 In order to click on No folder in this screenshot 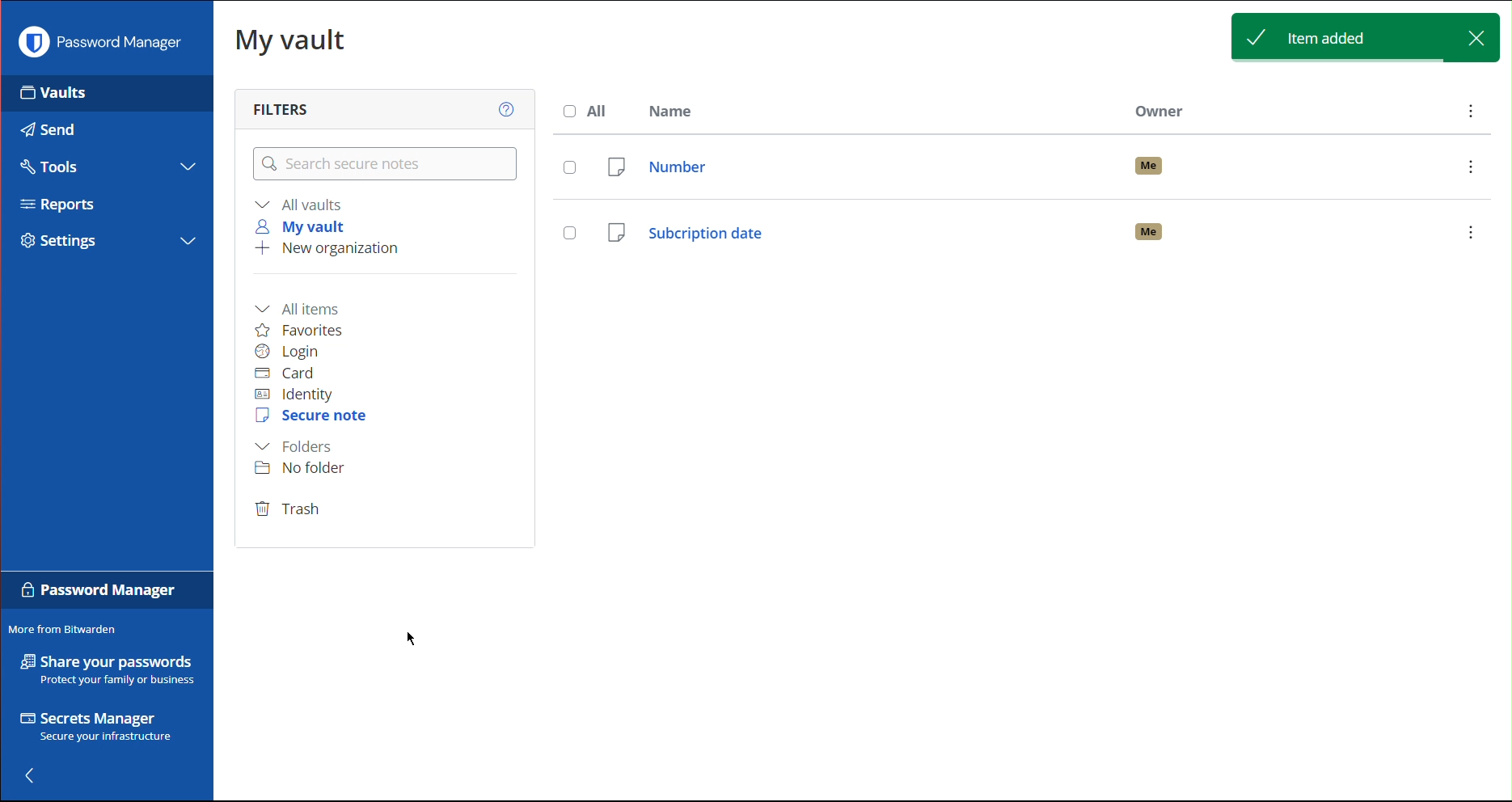, I will do `click(305, 467)`.